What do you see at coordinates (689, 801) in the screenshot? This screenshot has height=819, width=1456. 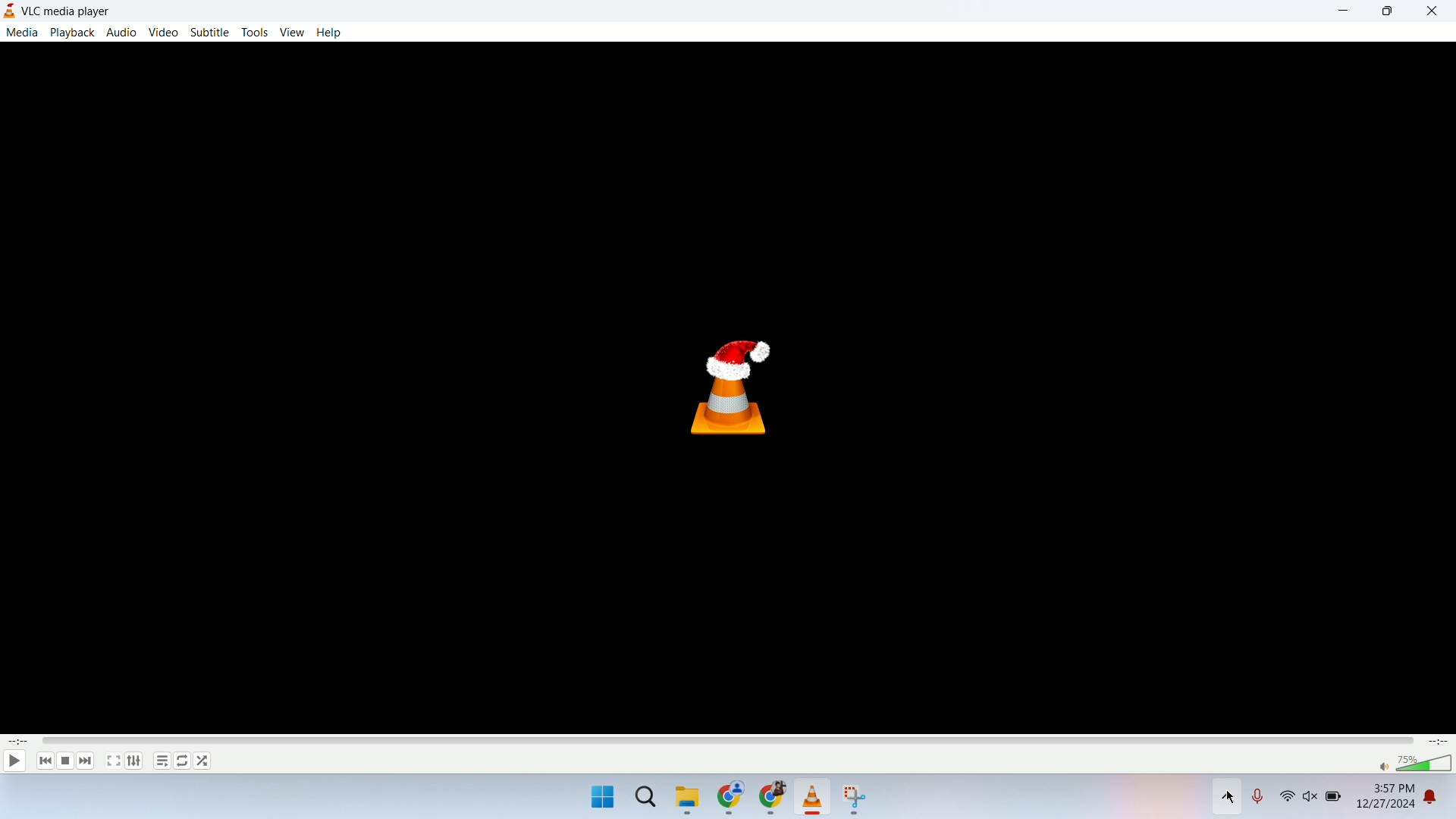 I see `file exlporer` at bounding box center [689, 801].